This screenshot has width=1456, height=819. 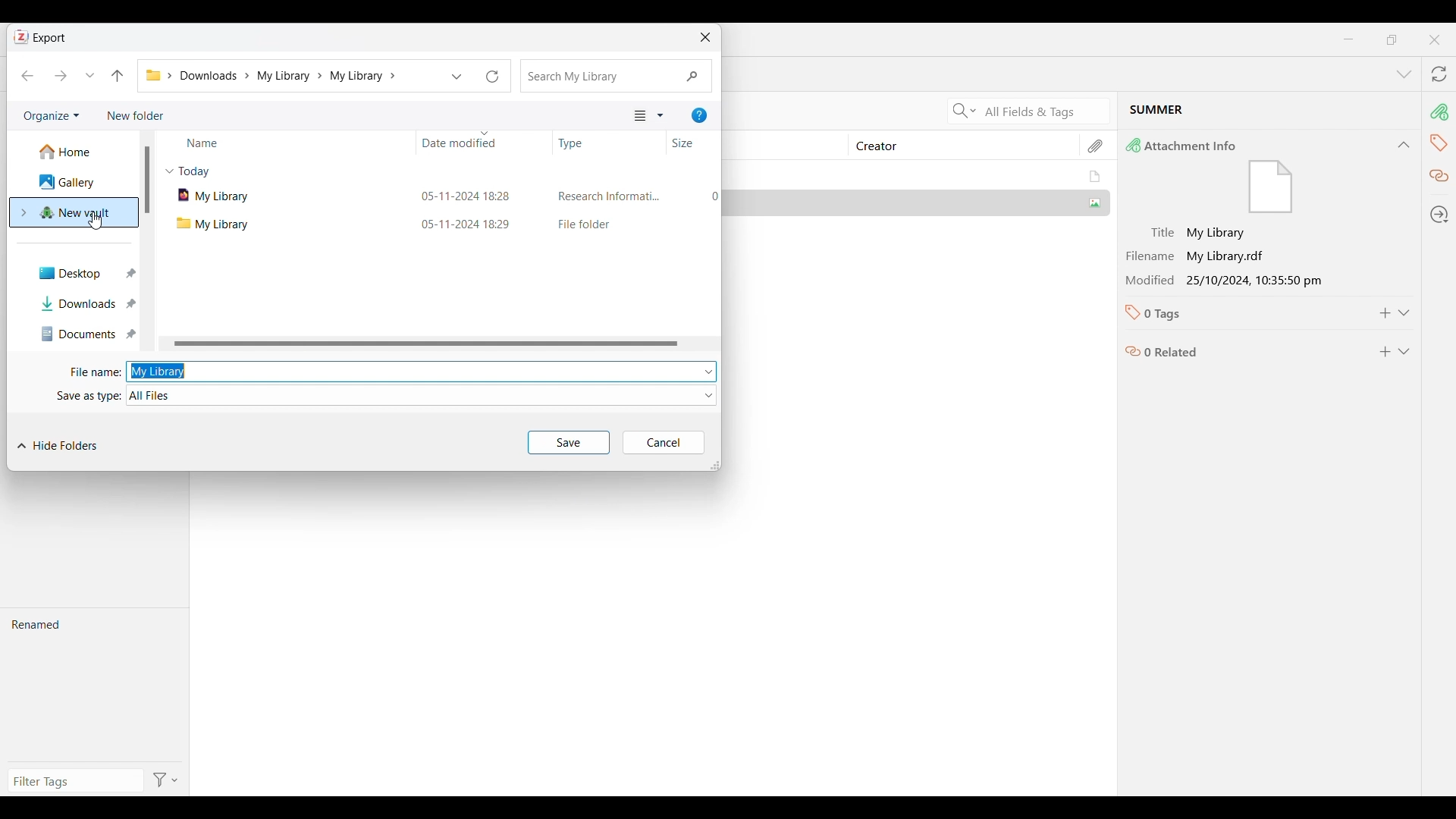 What do you see at coordinates (705, 37) in the screenshot?
I see `Close ` at bounding box center [705, 37].